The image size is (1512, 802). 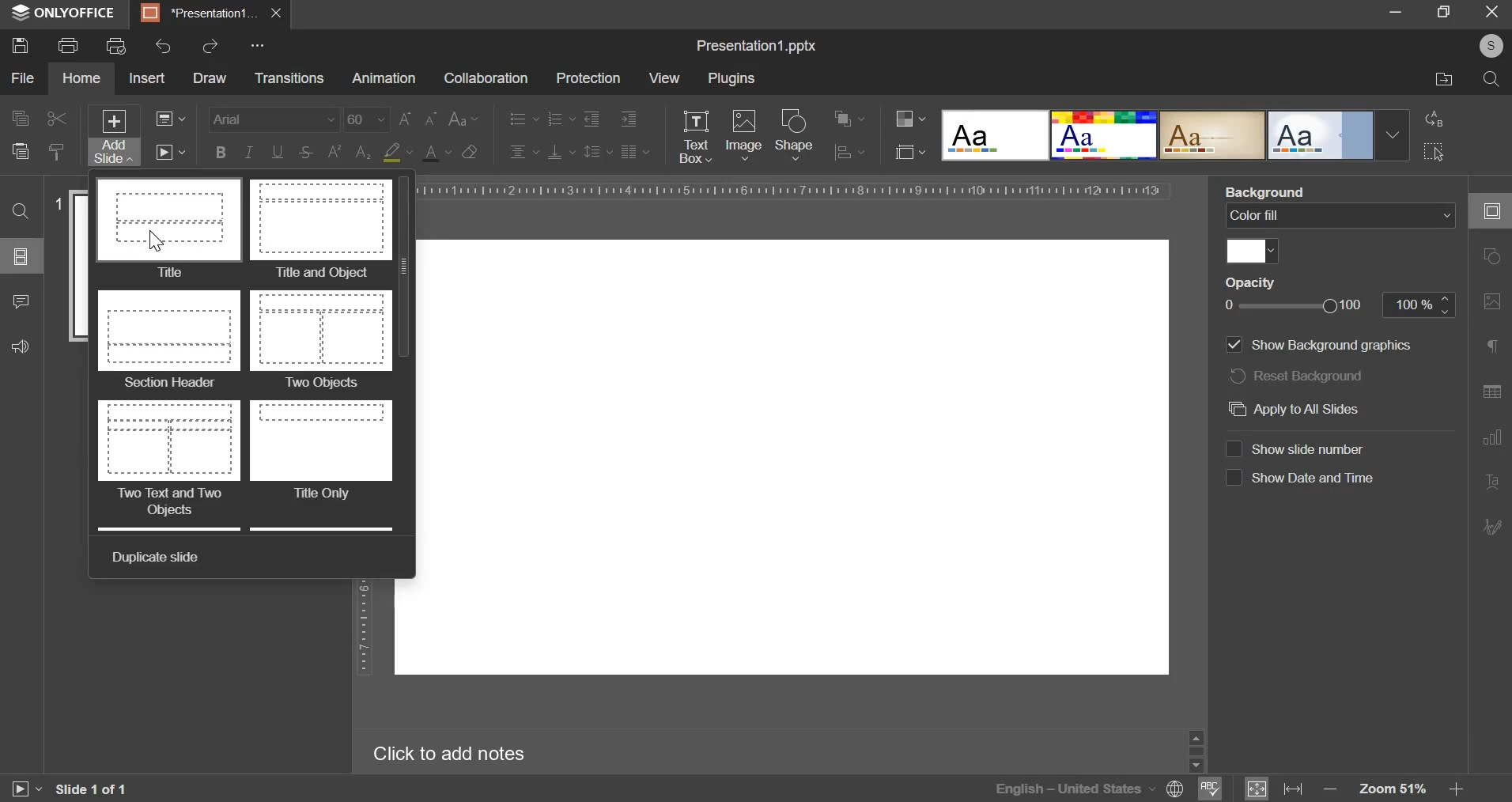 I want to click on change layout, so click(x=169, y=118).